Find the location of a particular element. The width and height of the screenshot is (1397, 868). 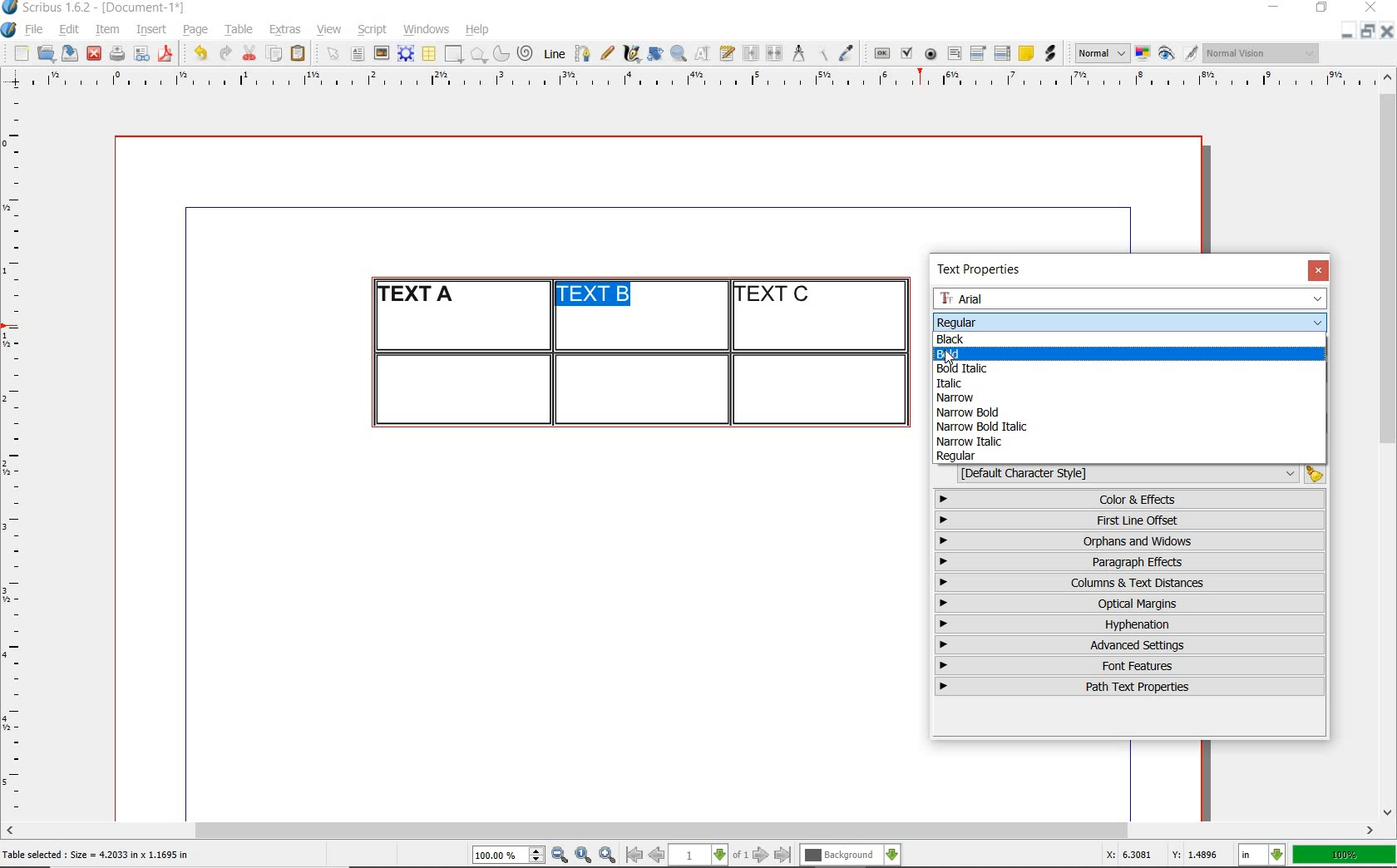

font features is located at coordinates (1130, 665).